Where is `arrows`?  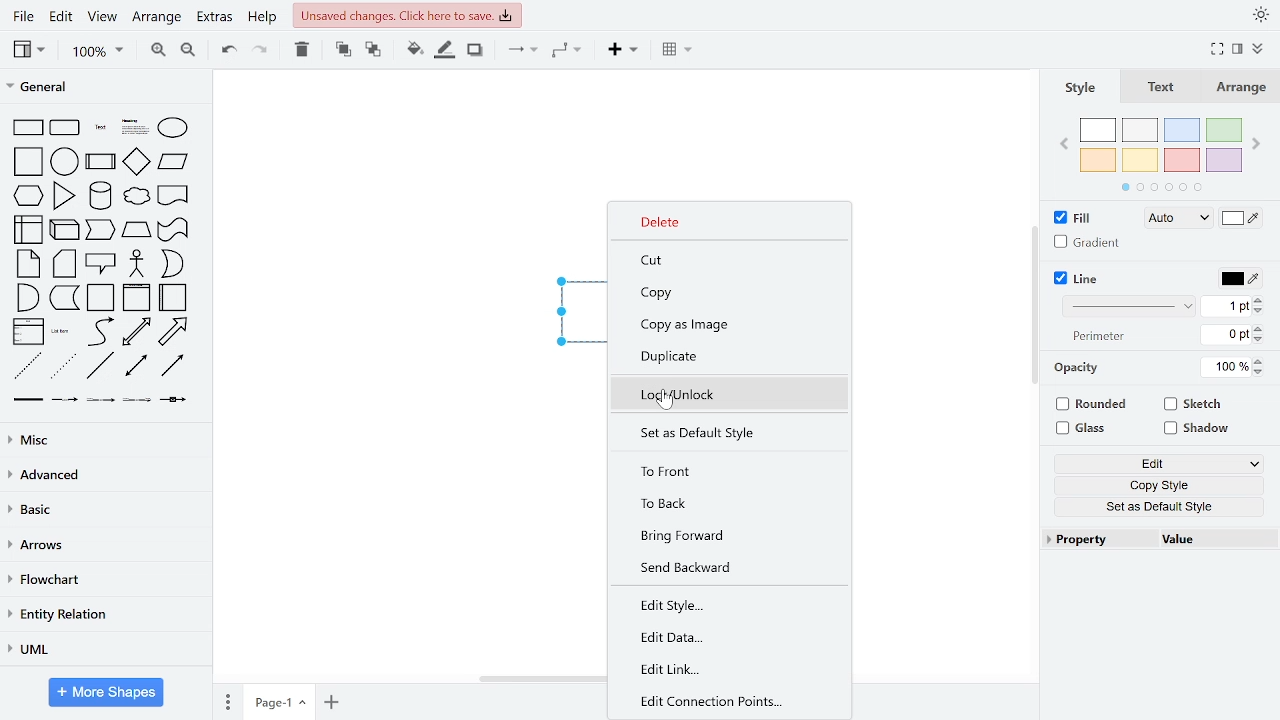 arrows is located at coordinates (105, 549).